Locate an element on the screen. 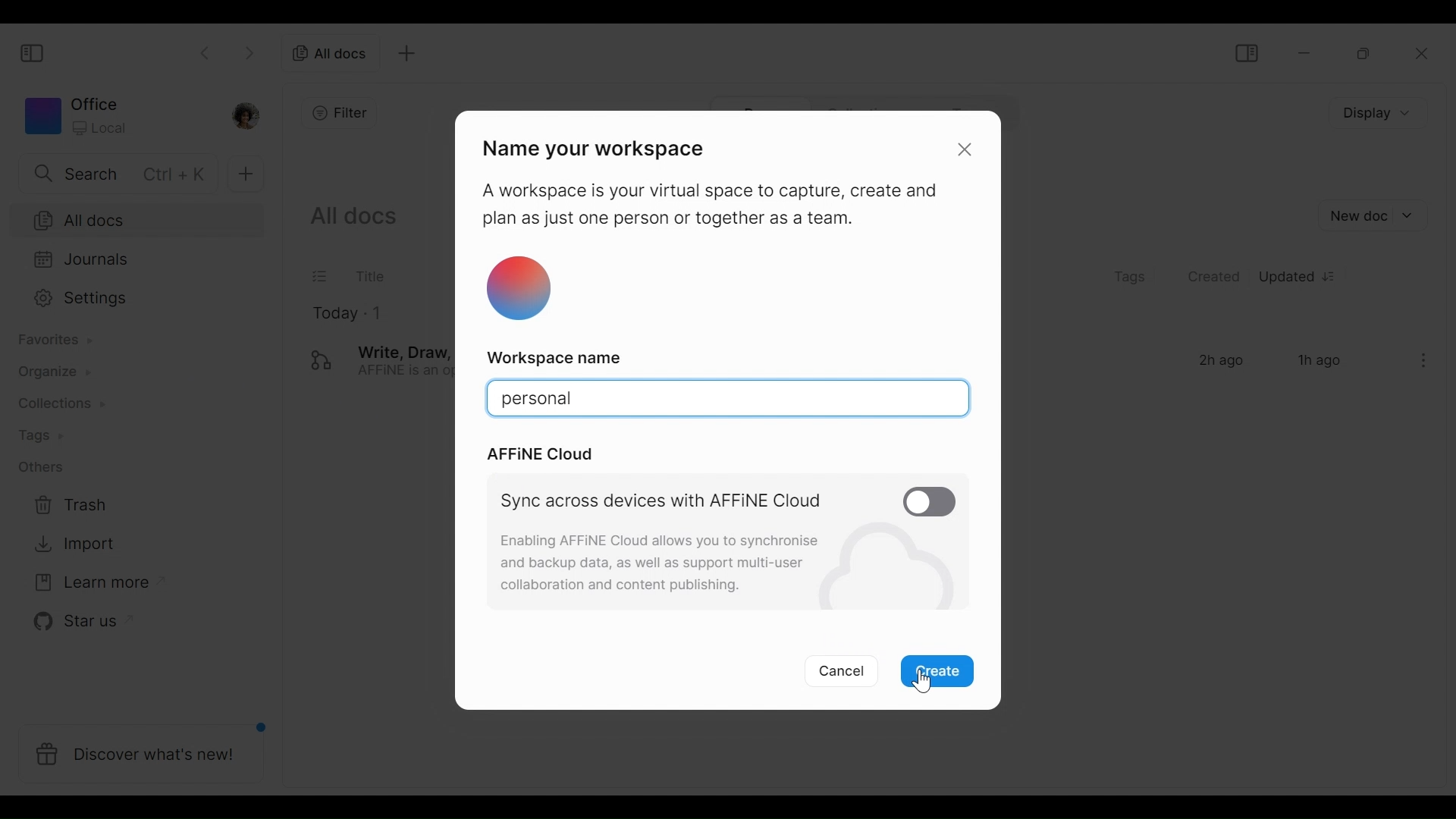  Created is located at coordinates (1216, 278).